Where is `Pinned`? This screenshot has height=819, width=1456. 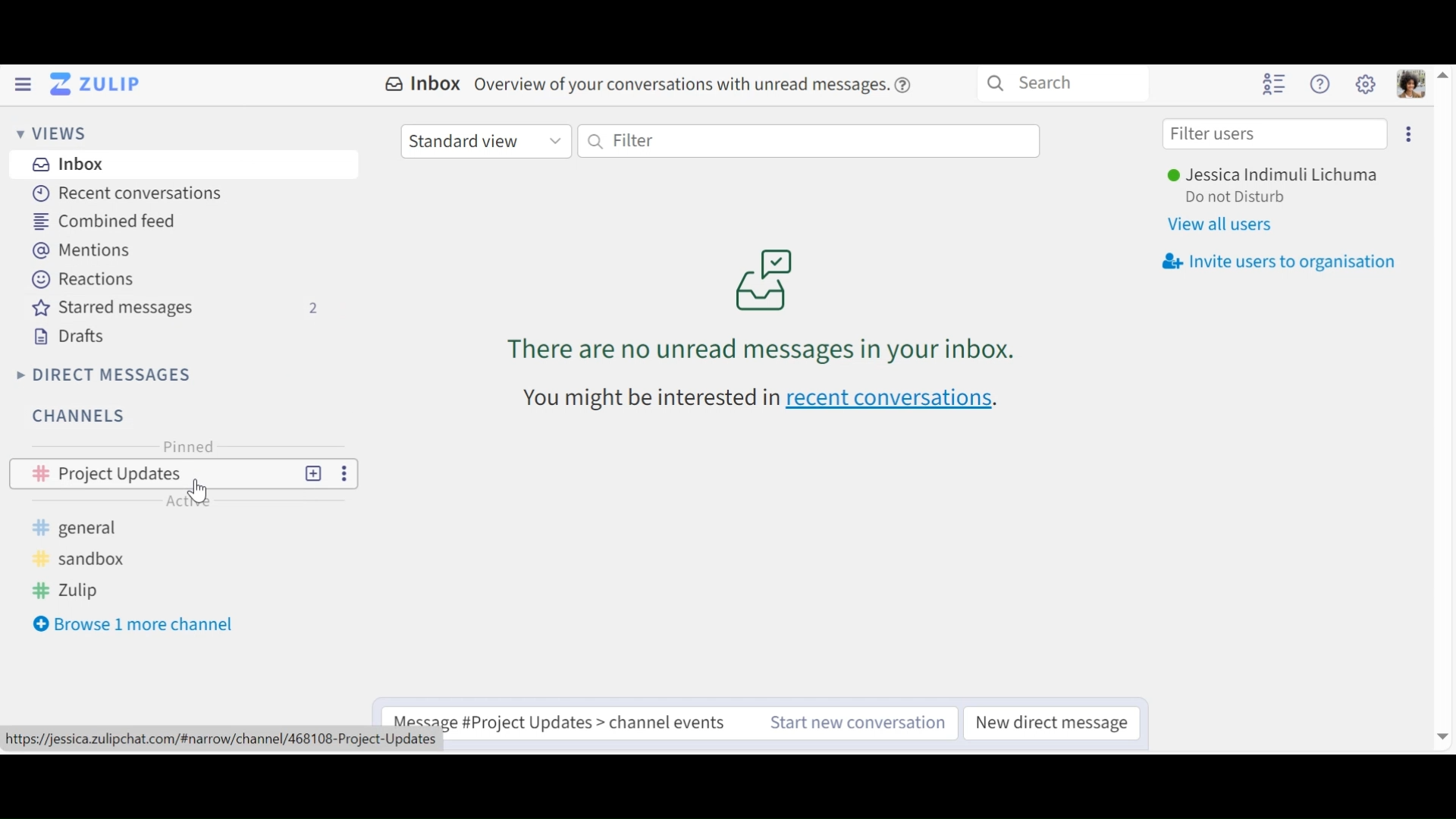 Pinned is located at coordinates (186, 445).